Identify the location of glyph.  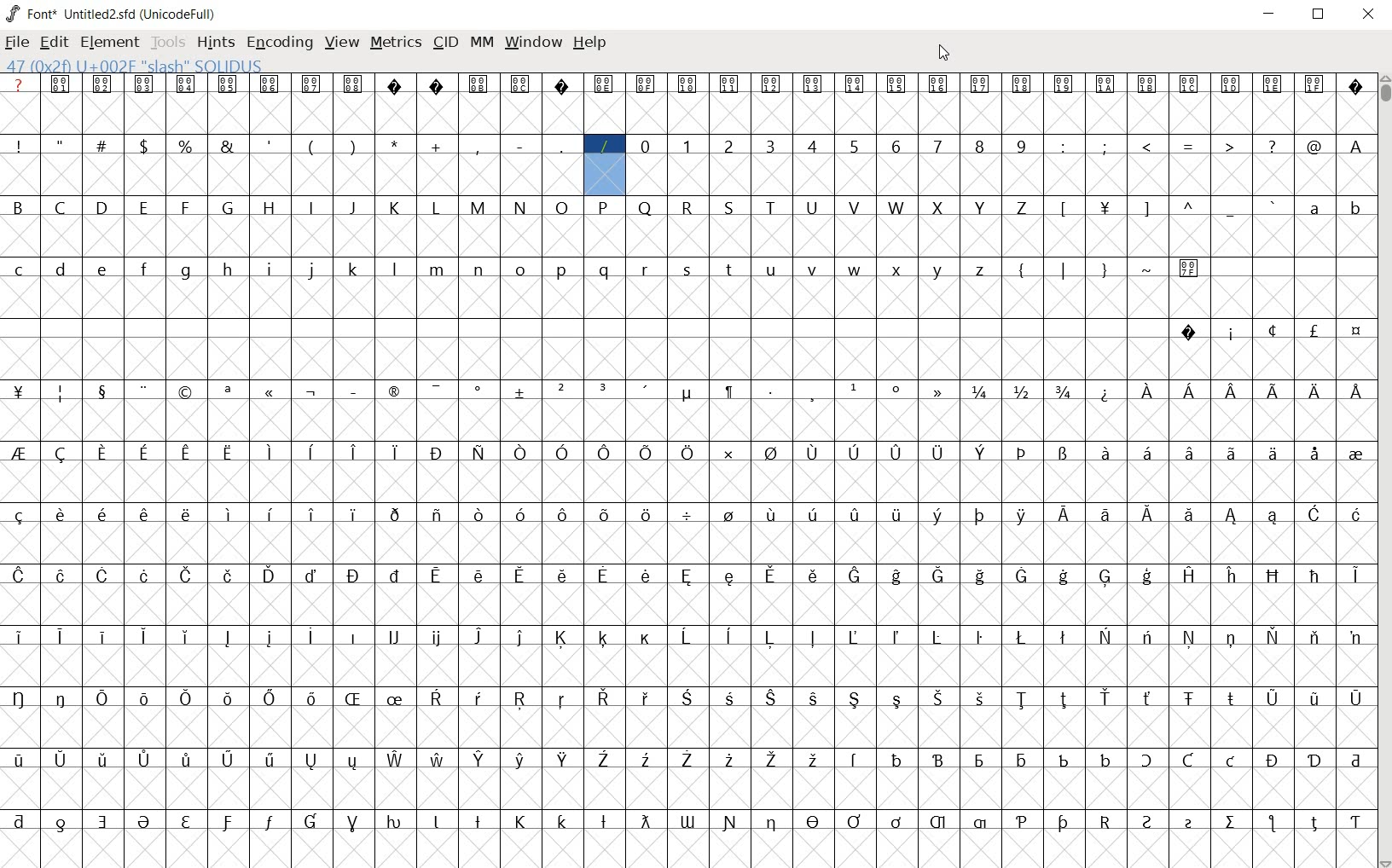
(1273, 516).